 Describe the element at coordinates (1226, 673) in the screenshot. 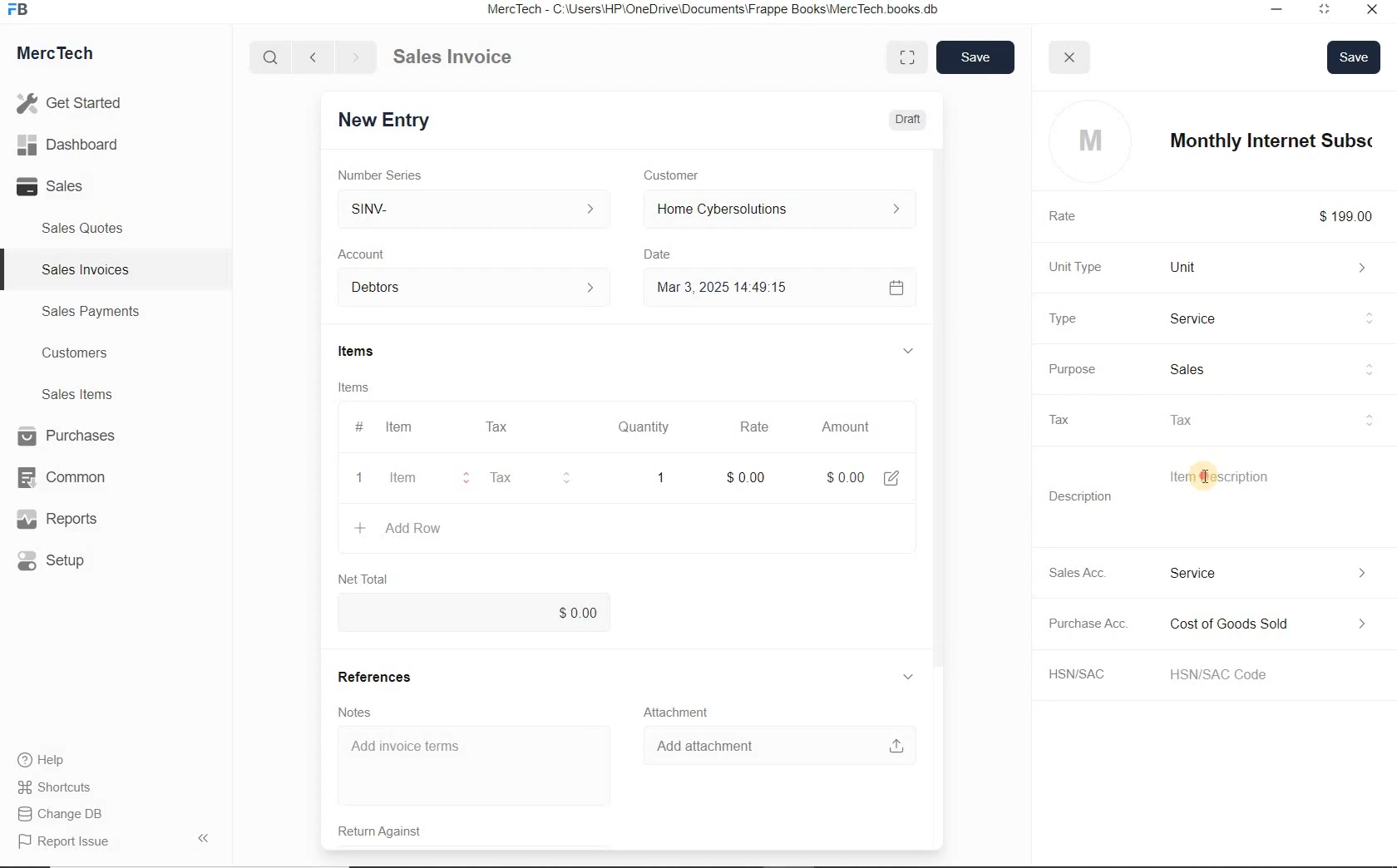

I see `HSN/SAC Code` at that location.